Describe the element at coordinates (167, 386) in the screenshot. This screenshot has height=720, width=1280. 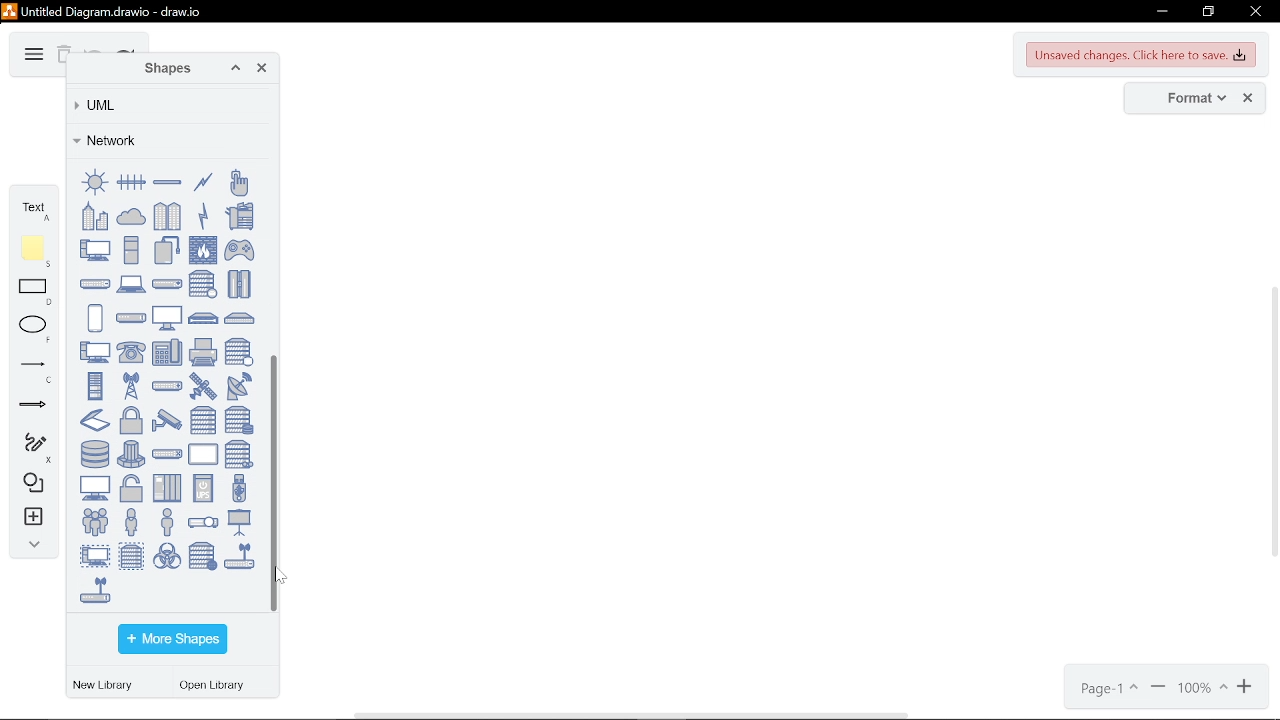
I see `router` at that location.